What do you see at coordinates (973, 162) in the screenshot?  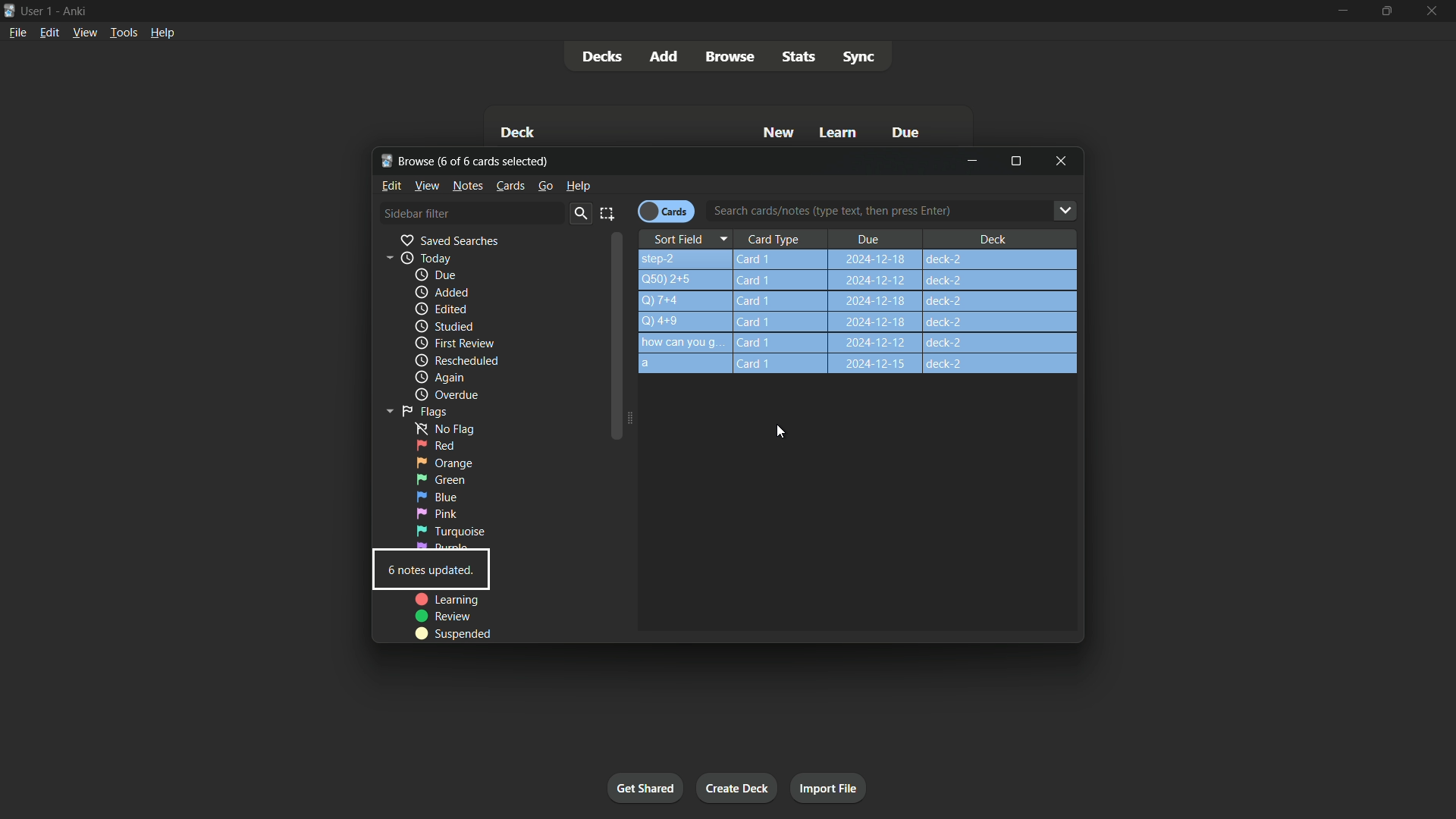 I see `minimize` at bounding box center [973, 162].